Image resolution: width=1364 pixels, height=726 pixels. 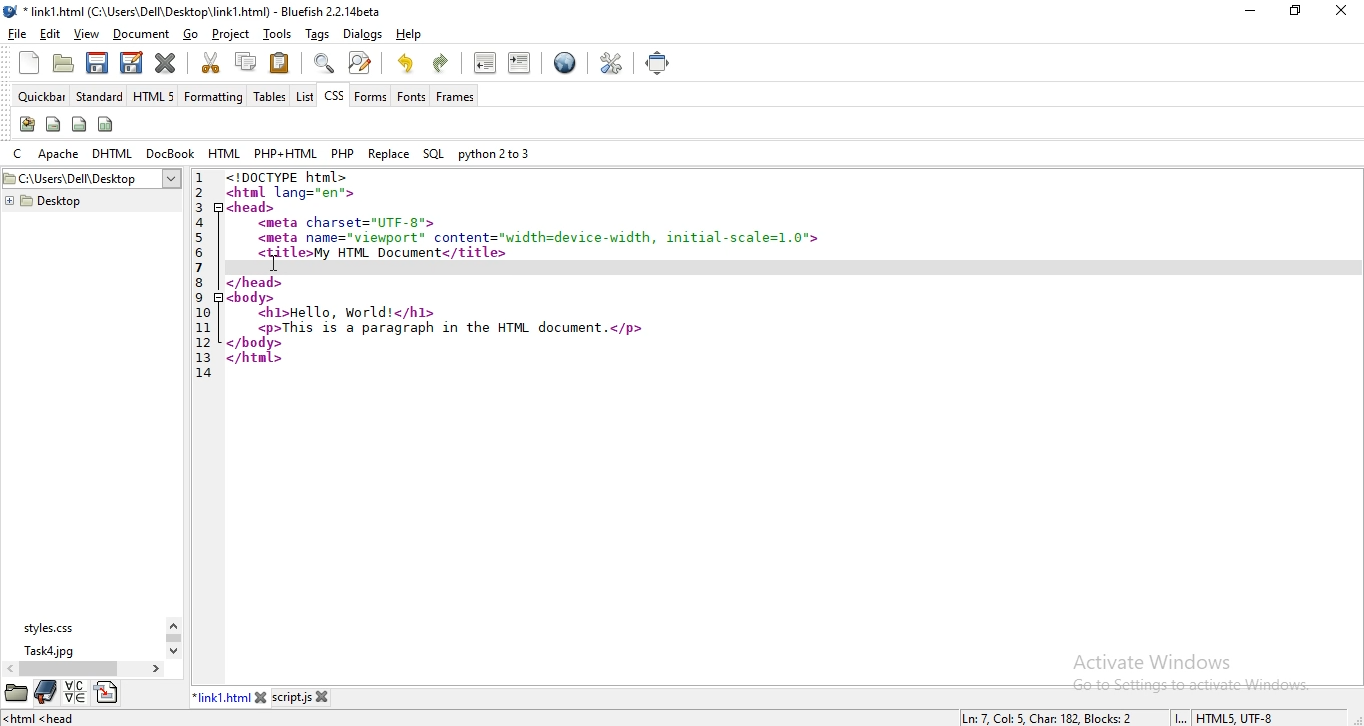 I want to click on directory, so click(x=107, y=692).